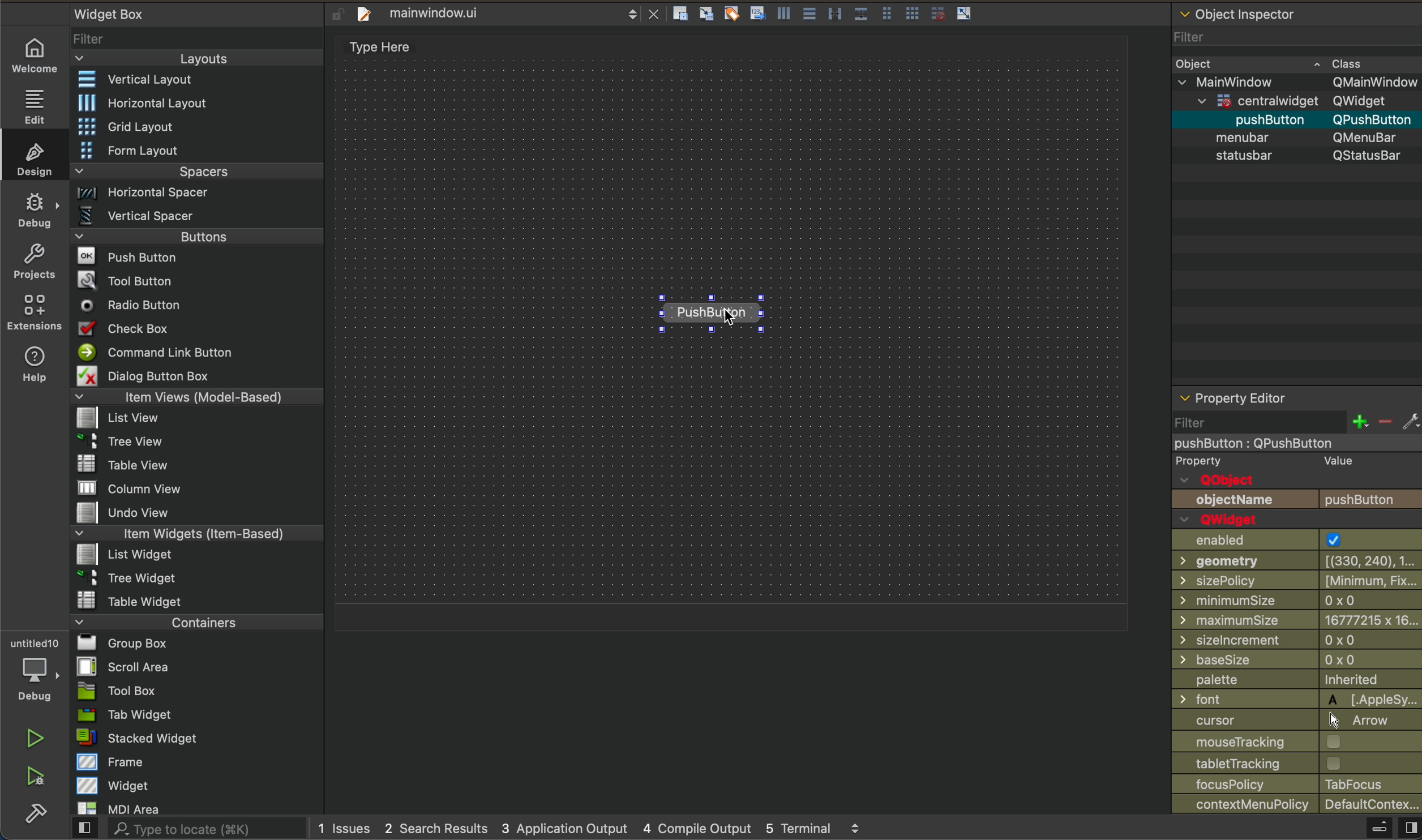  Describe the element at coordinates (34, 781) in the screenshot. I see `run and debug` at that location.